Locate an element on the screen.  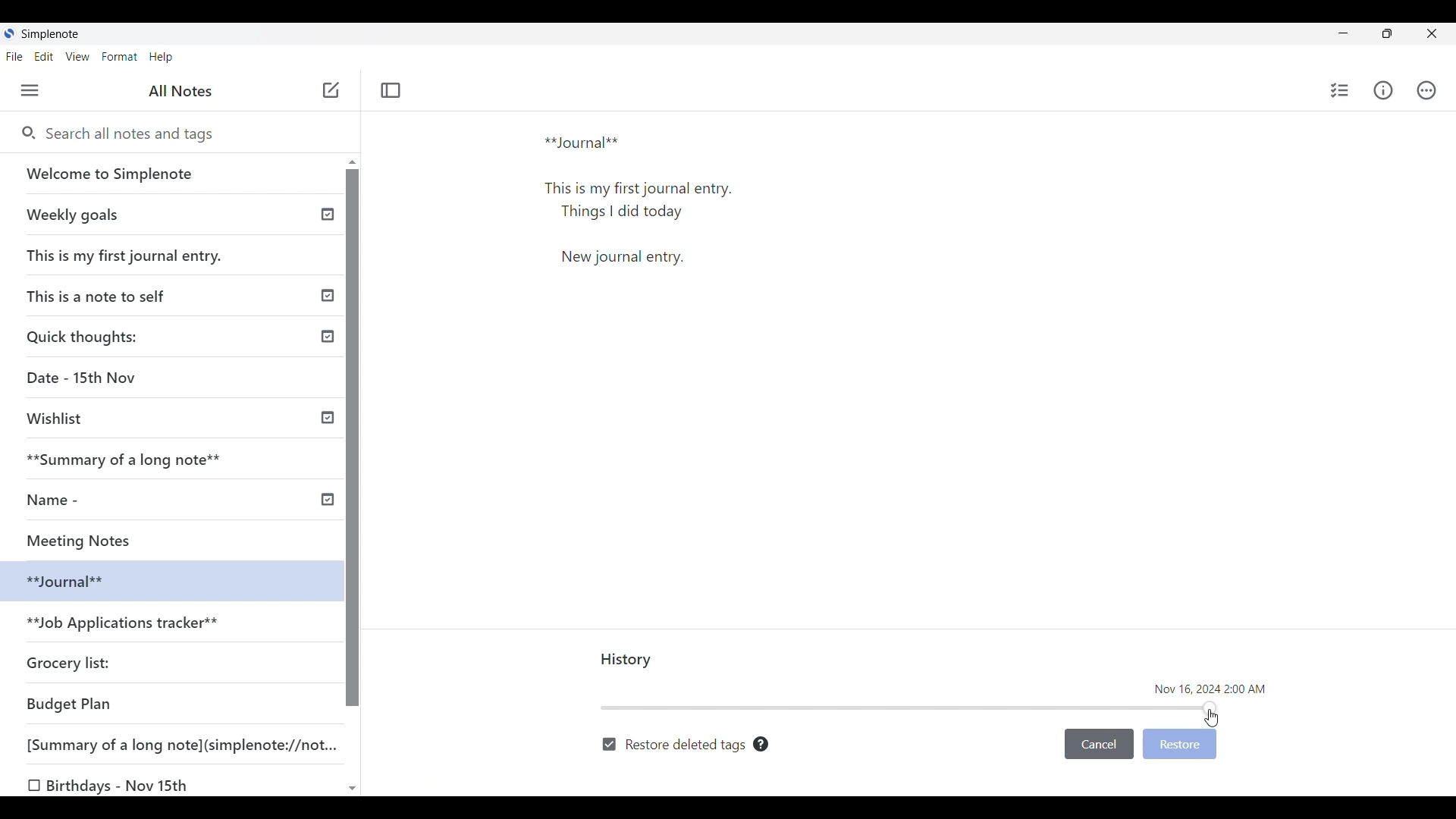
Menu is located at coordinates (30, 90).